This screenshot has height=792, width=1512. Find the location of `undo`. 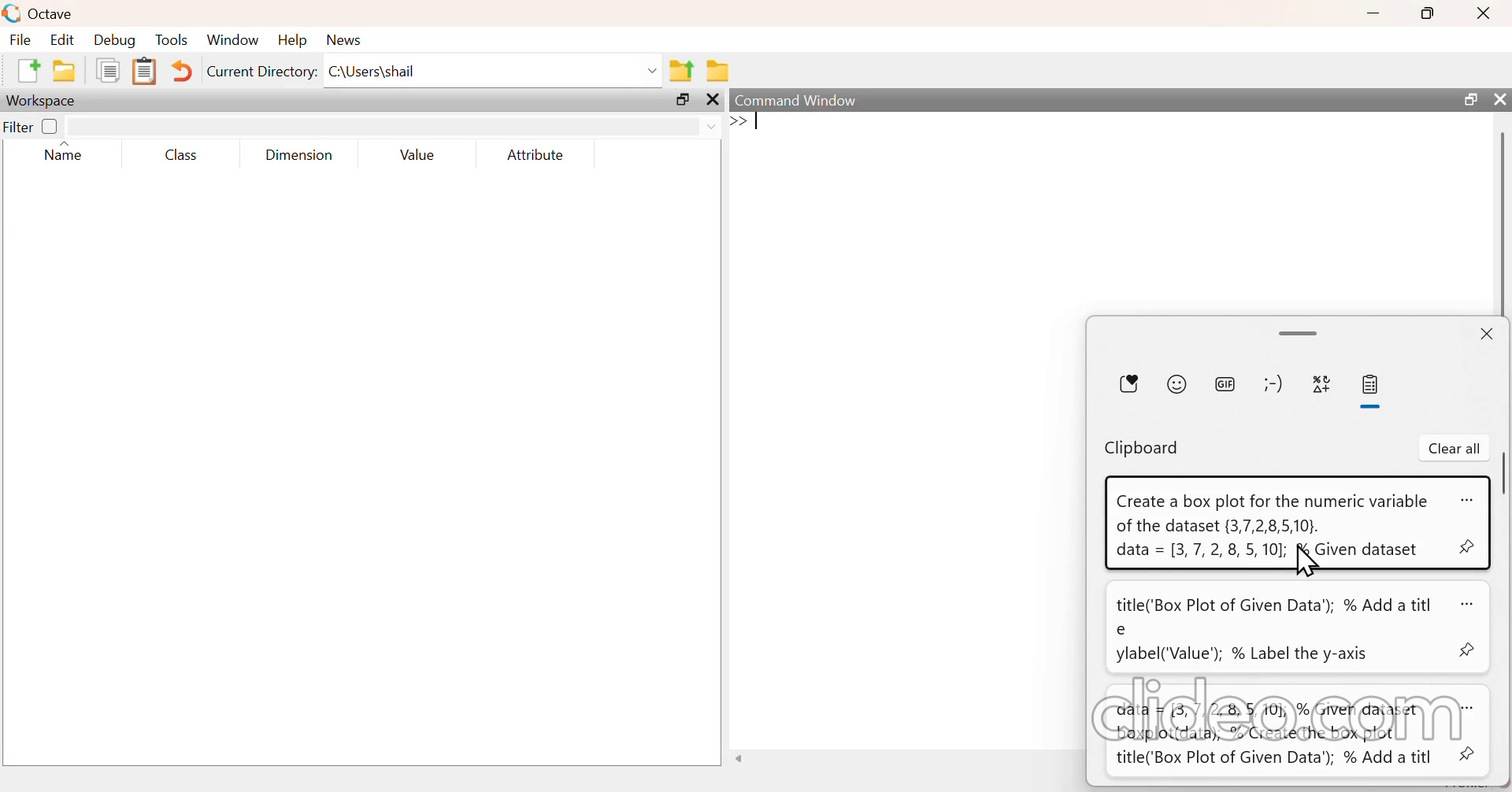

undo is located at coordinates (186, 69).